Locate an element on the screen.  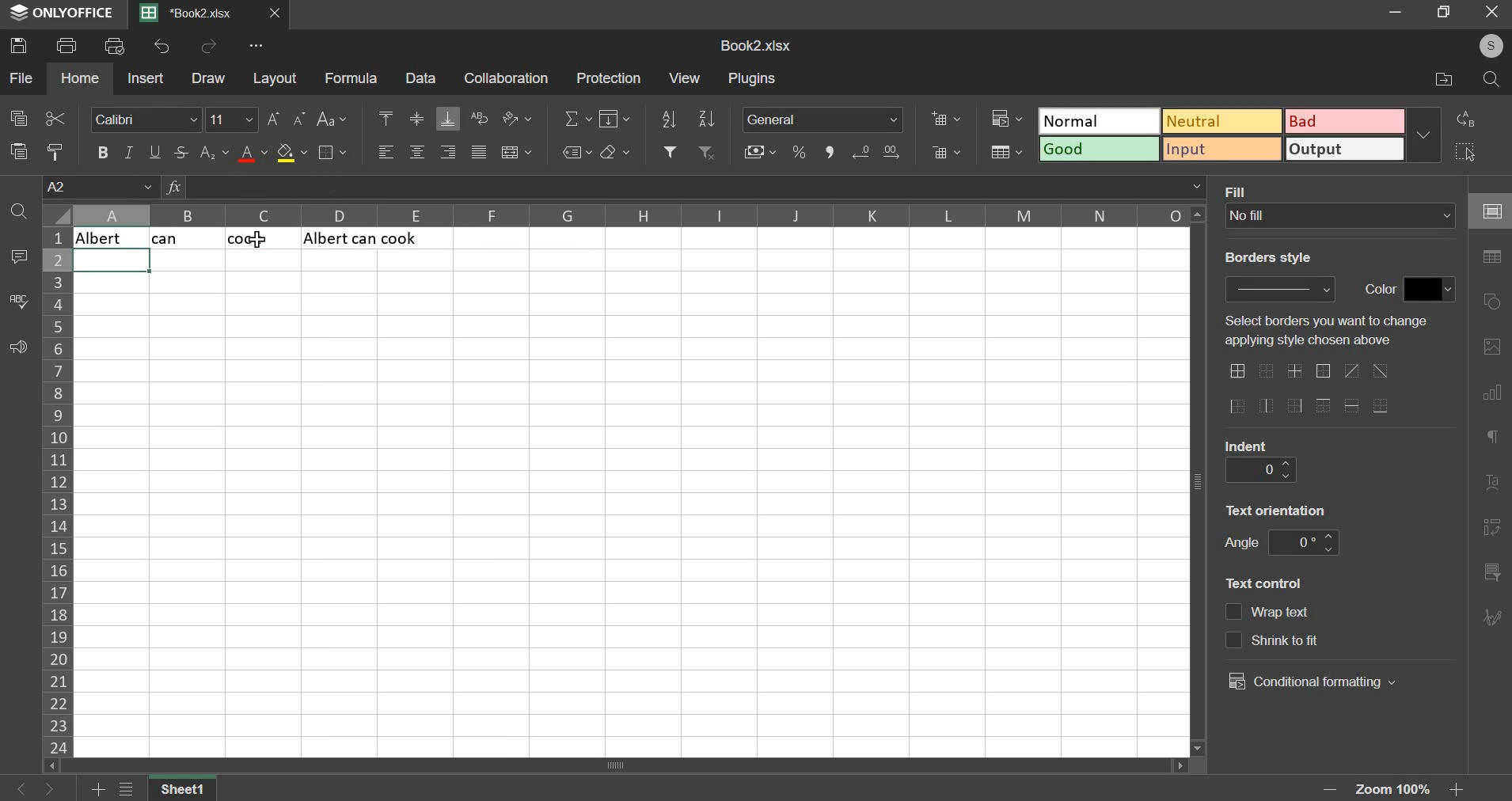
go back is located at coordinates (20, 788).